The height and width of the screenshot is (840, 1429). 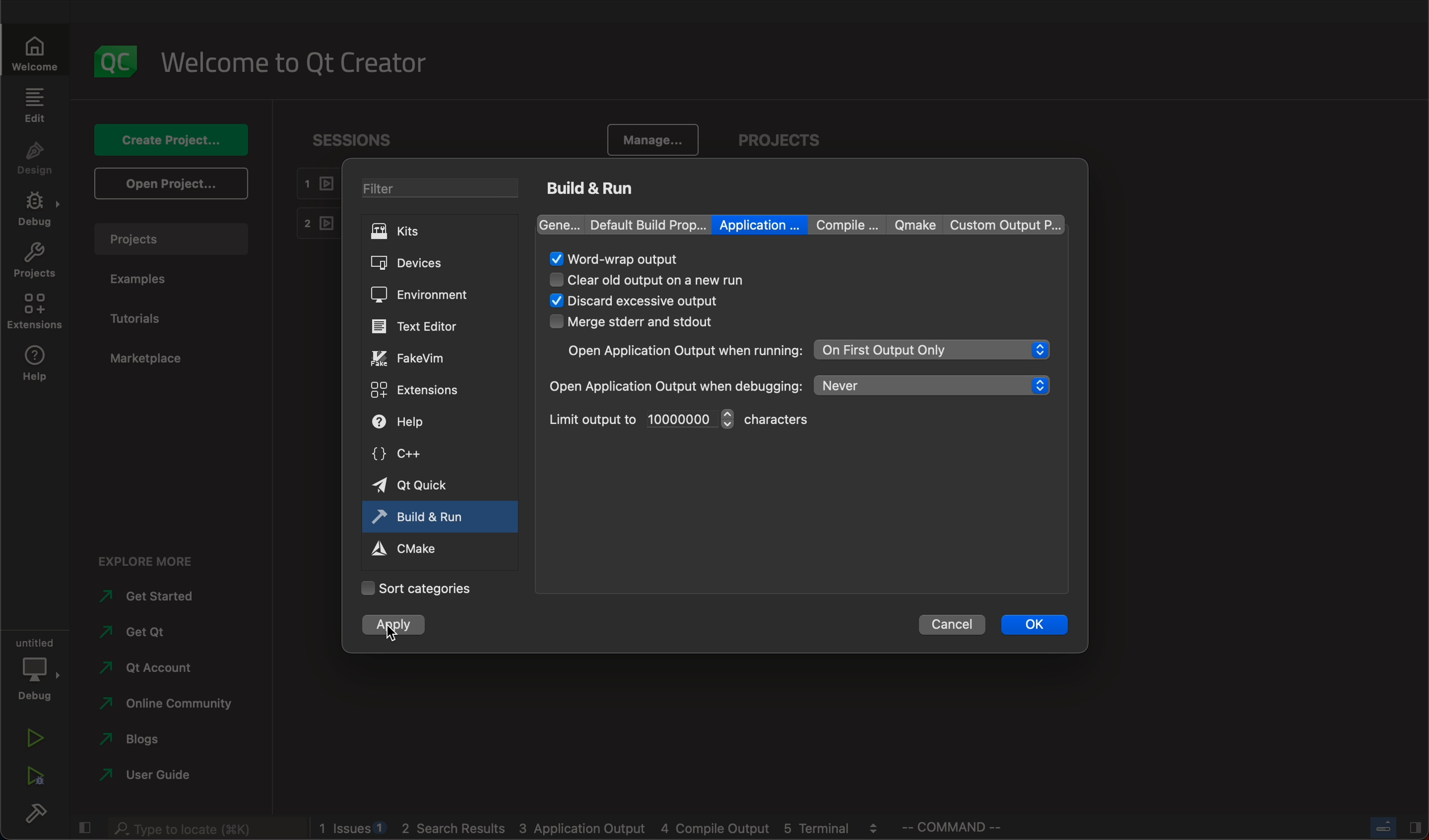 What do you see at coordinates (561, 224) in the screenshot?
I see `gene` at bounding box center [561, 224].